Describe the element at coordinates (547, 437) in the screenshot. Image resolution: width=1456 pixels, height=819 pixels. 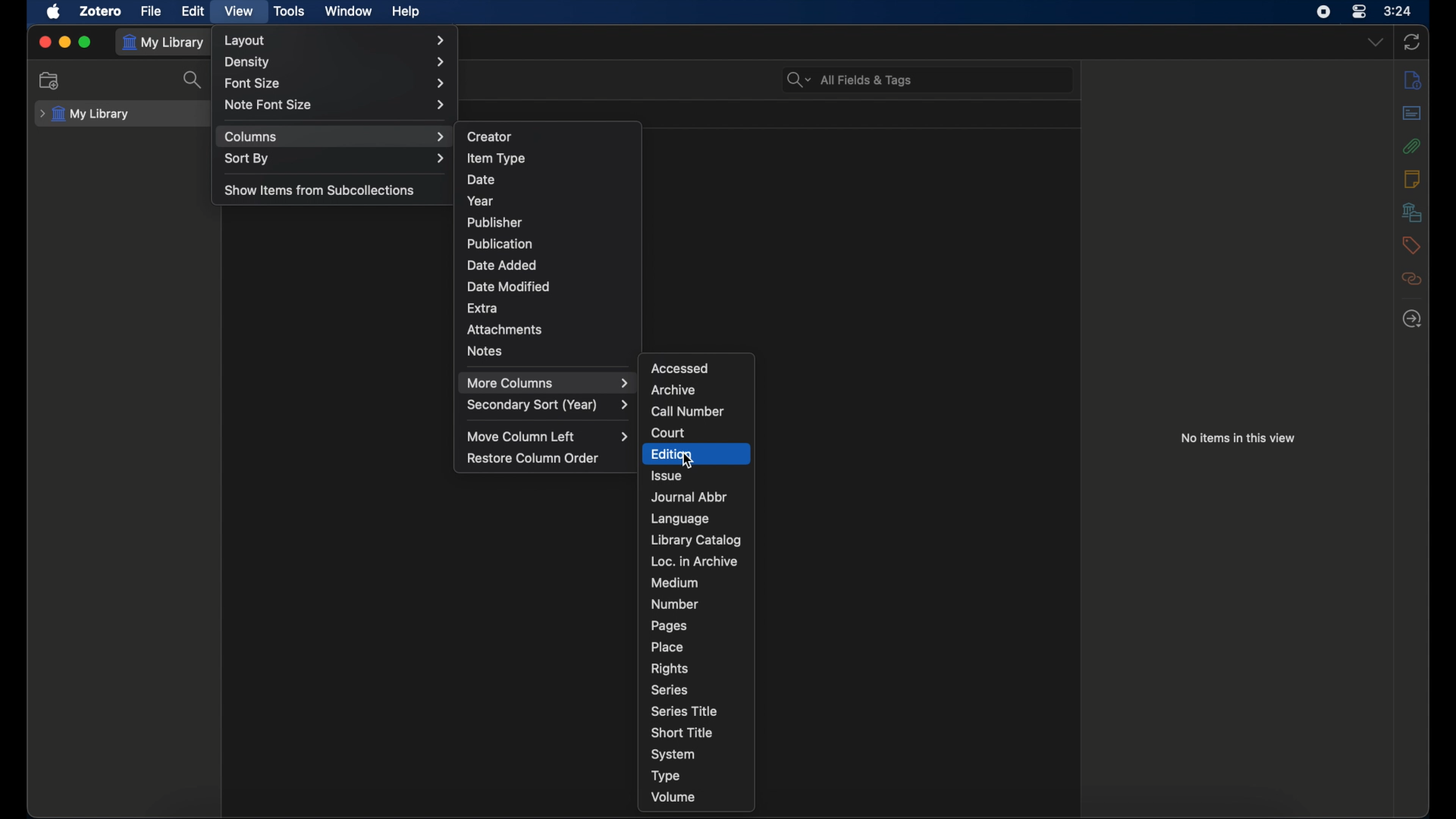
I see `move column left` at that location.